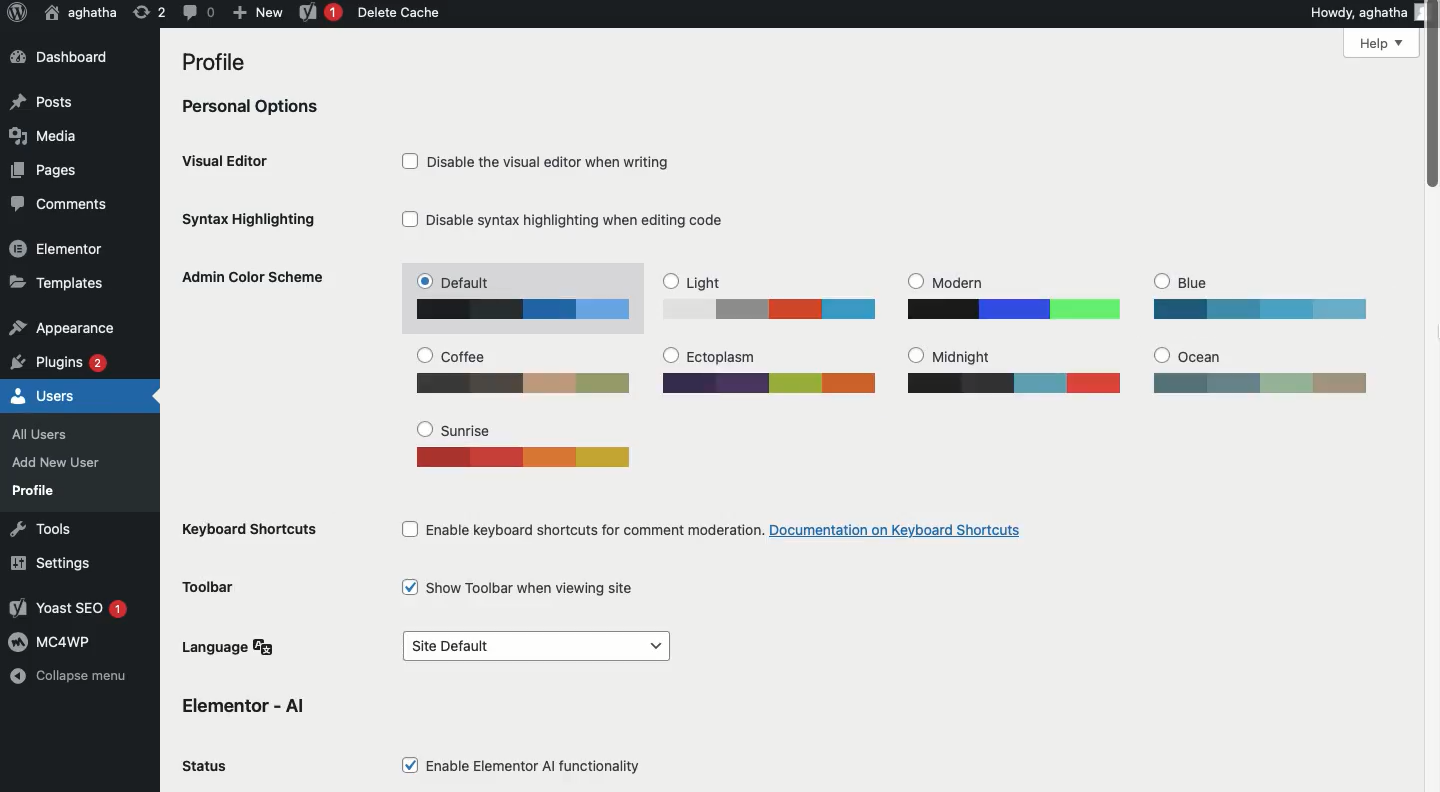 The image size is (1440, 792). What do you see at coordinates (37, 528) in the screenshot?
I see `Tools` at bounding box center [37, 528].